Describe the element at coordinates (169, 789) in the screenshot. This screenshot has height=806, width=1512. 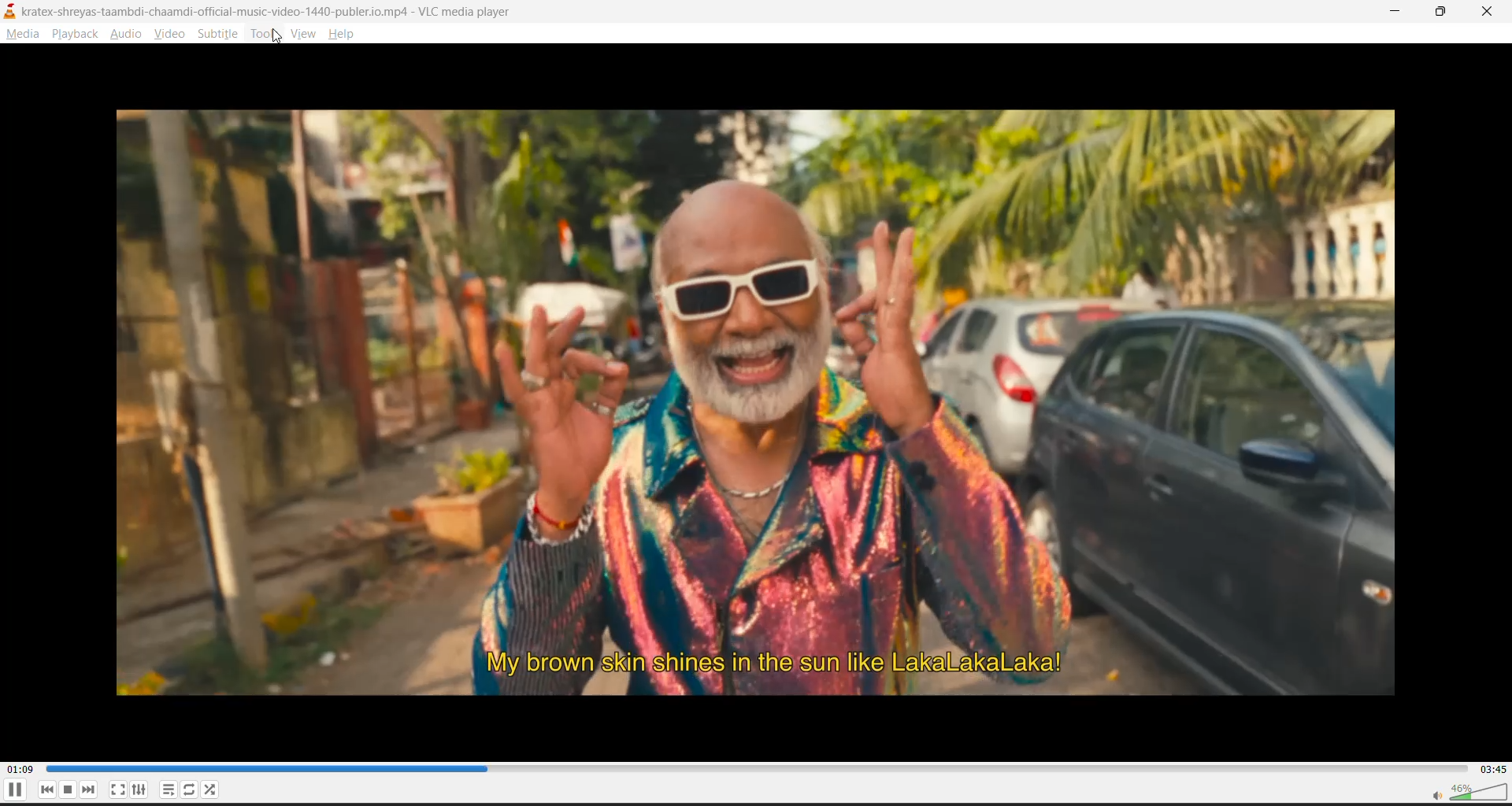
I see `playlist` at that location.